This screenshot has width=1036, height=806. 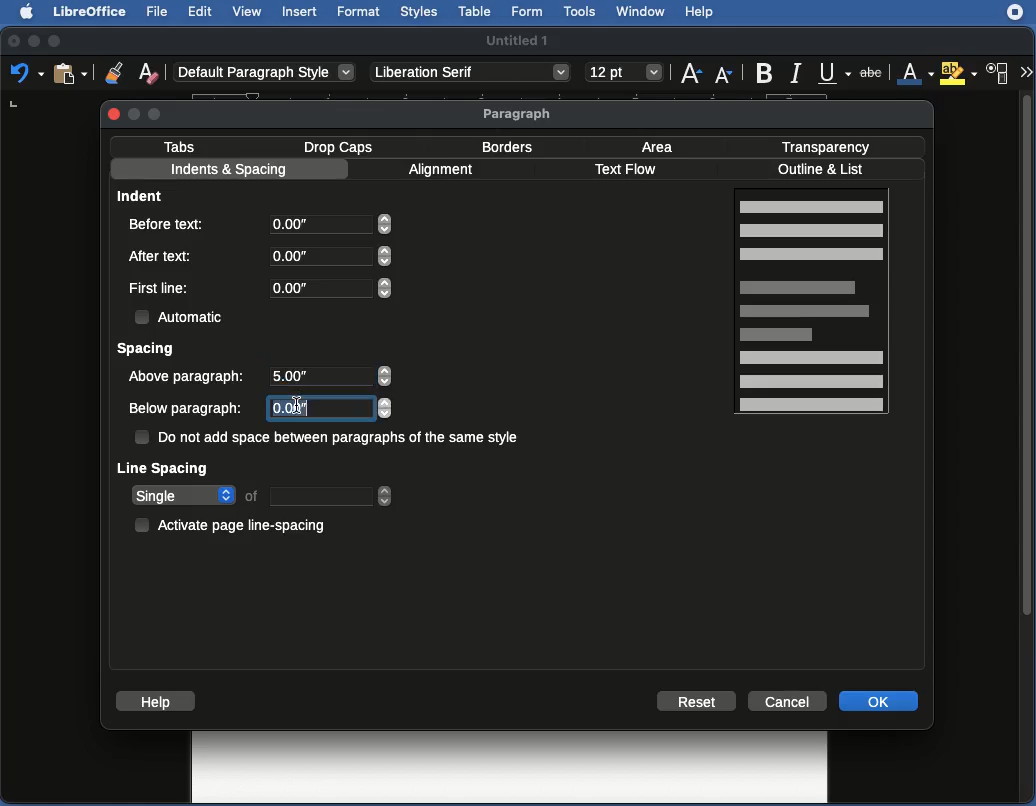 What do you see at coordinates (321, 375) in the screenshot?
I see `5.00"` at bounding box center [321, 375].